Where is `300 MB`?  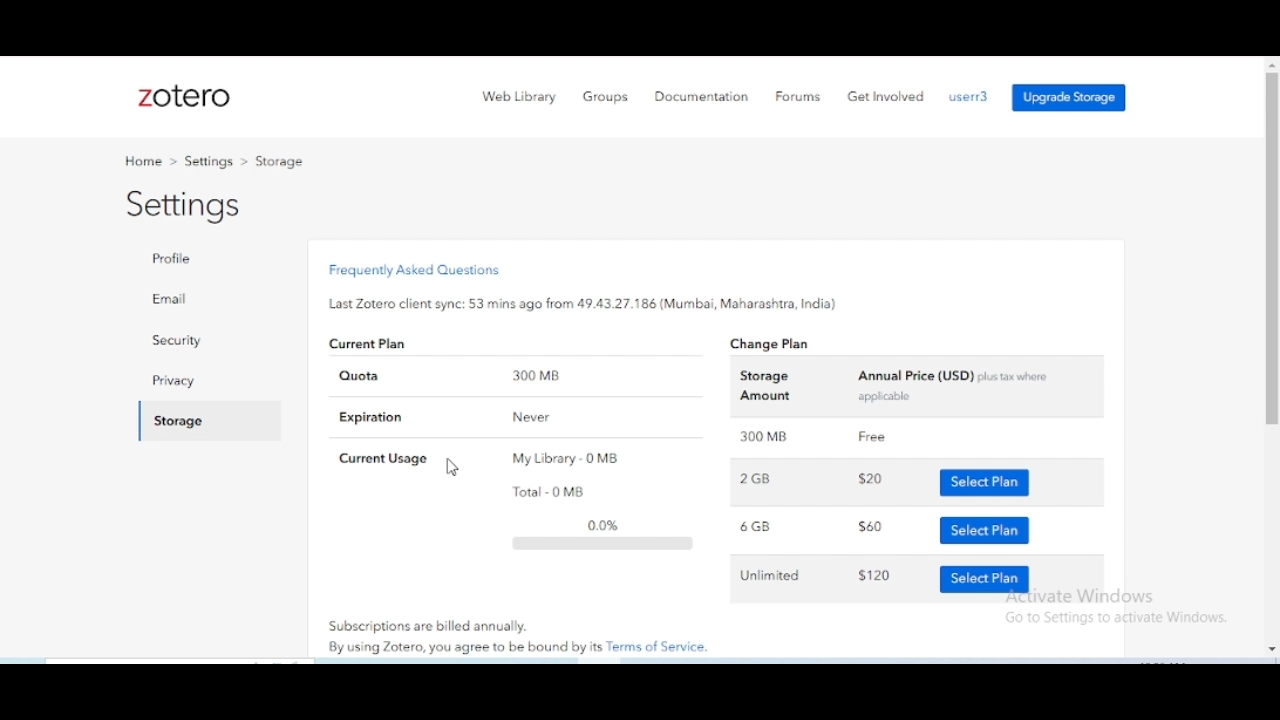 300 MB is located at coordinates (763, 437).